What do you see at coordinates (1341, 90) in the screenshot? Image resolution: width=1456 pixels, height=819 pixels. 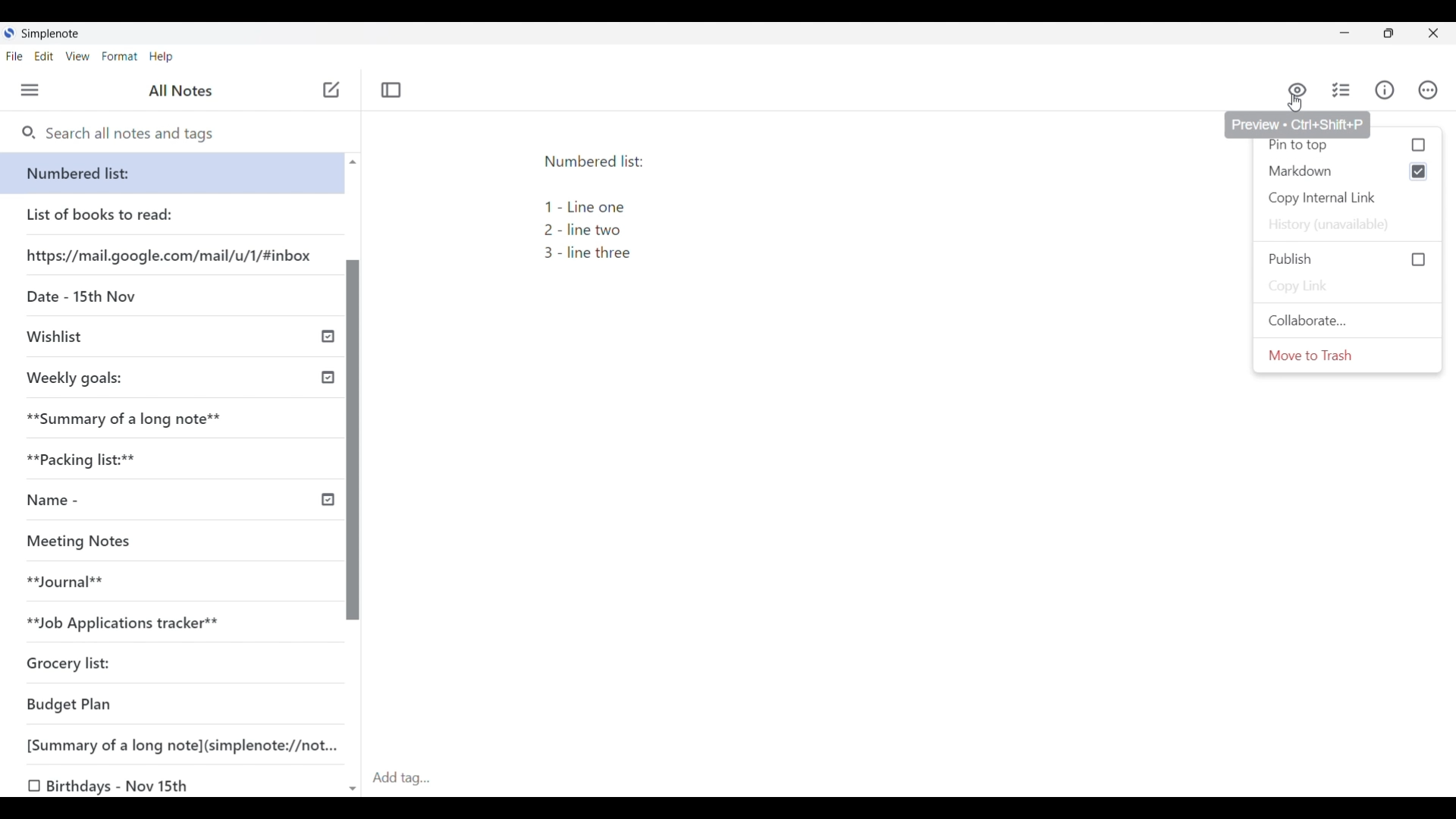 I see `Insert checklist` at bounding box center [1341, 90].